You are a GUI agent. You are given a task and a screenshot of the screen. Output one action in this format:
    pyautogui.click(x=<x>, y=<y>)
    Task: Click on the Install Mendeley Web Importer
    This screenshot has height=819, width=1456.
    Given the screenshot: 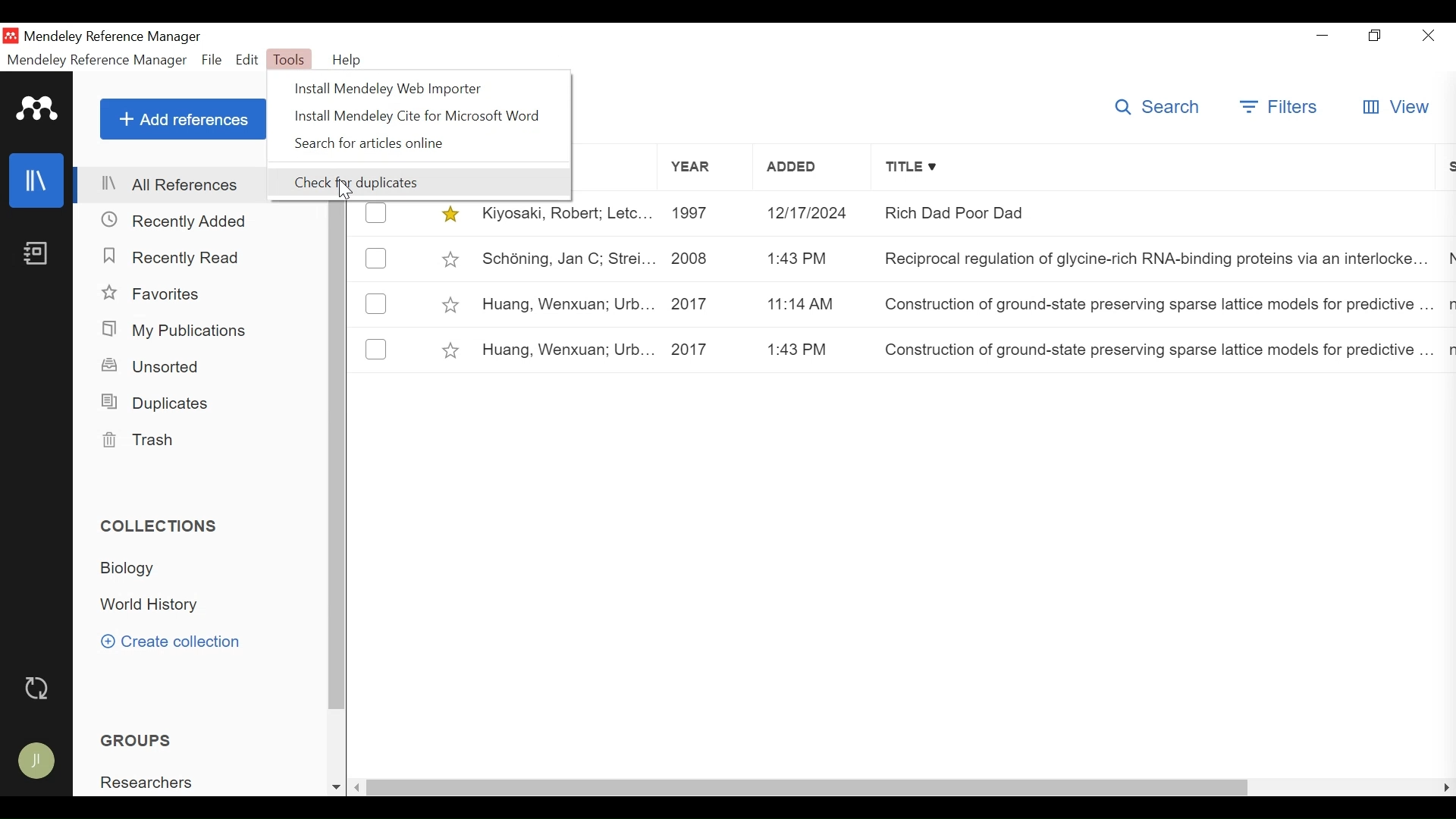 What is the action you would take?
    pyautogui.click(x=428, y=88)
    